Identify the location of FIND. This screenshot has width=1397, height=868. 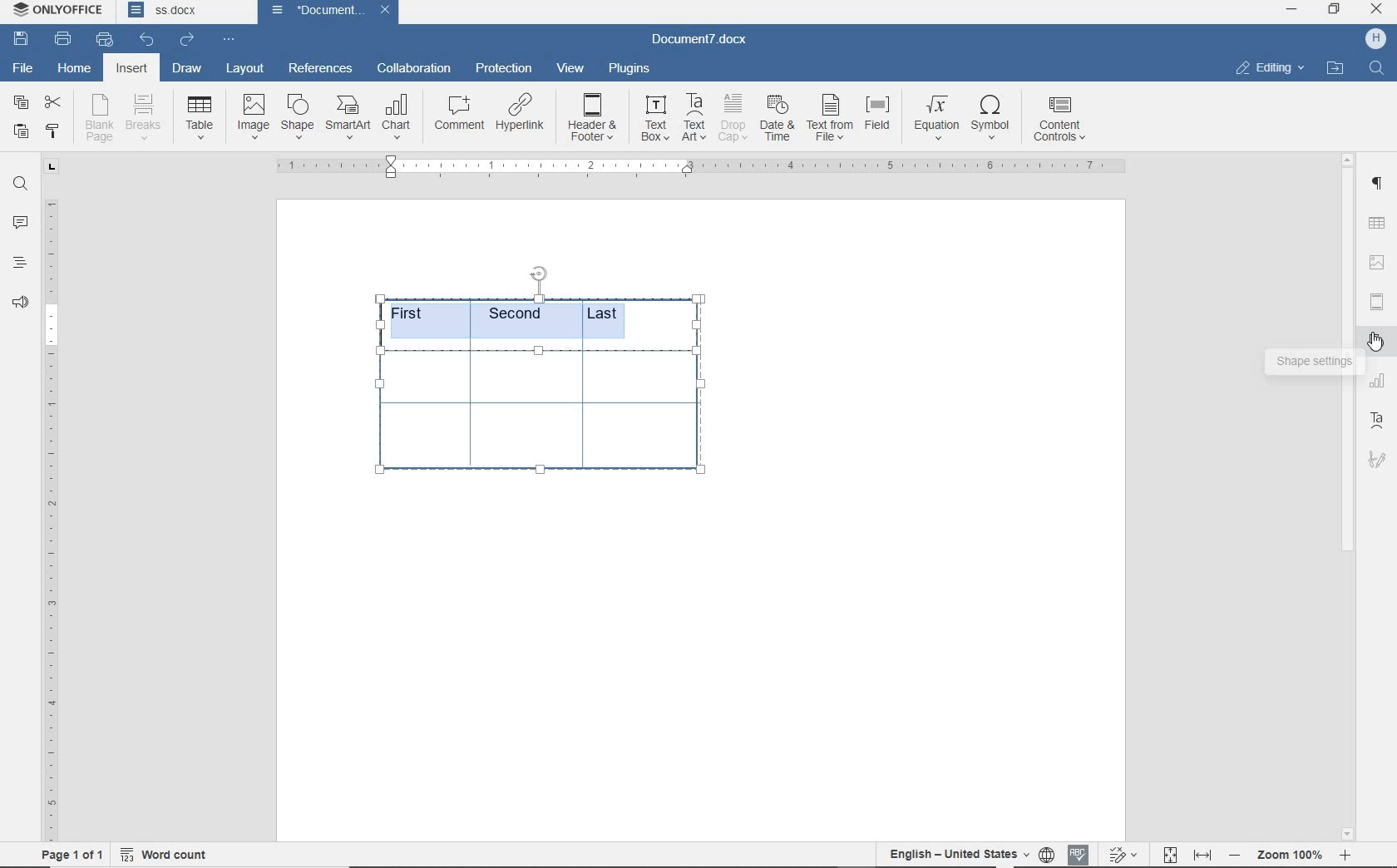
(1378, 68).